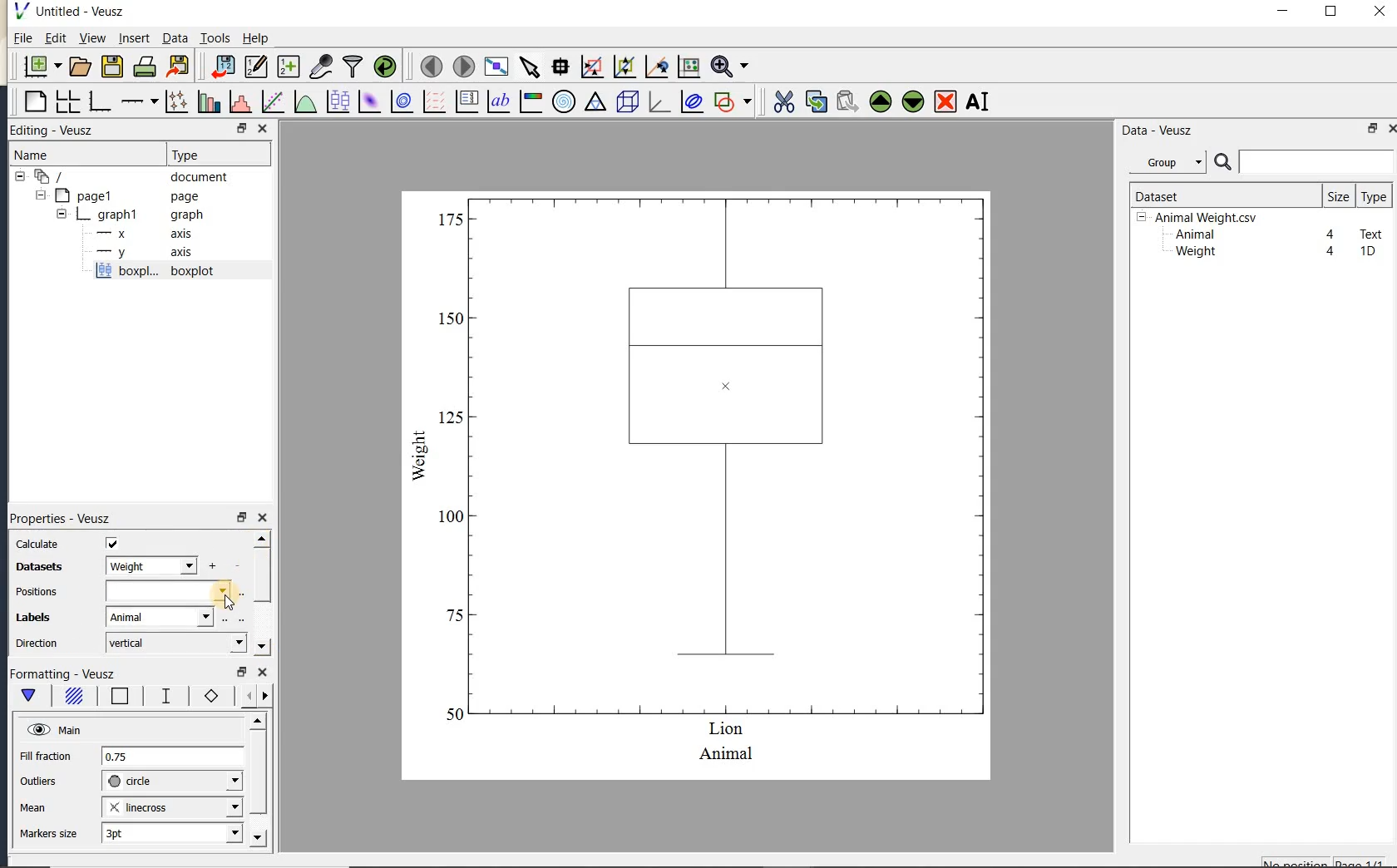 This screenshot has height=868, width=1397. What do you see at coordinates (209, 101) in the screenshot?
I see `plot bar charts` at bounding box center [209, 101].